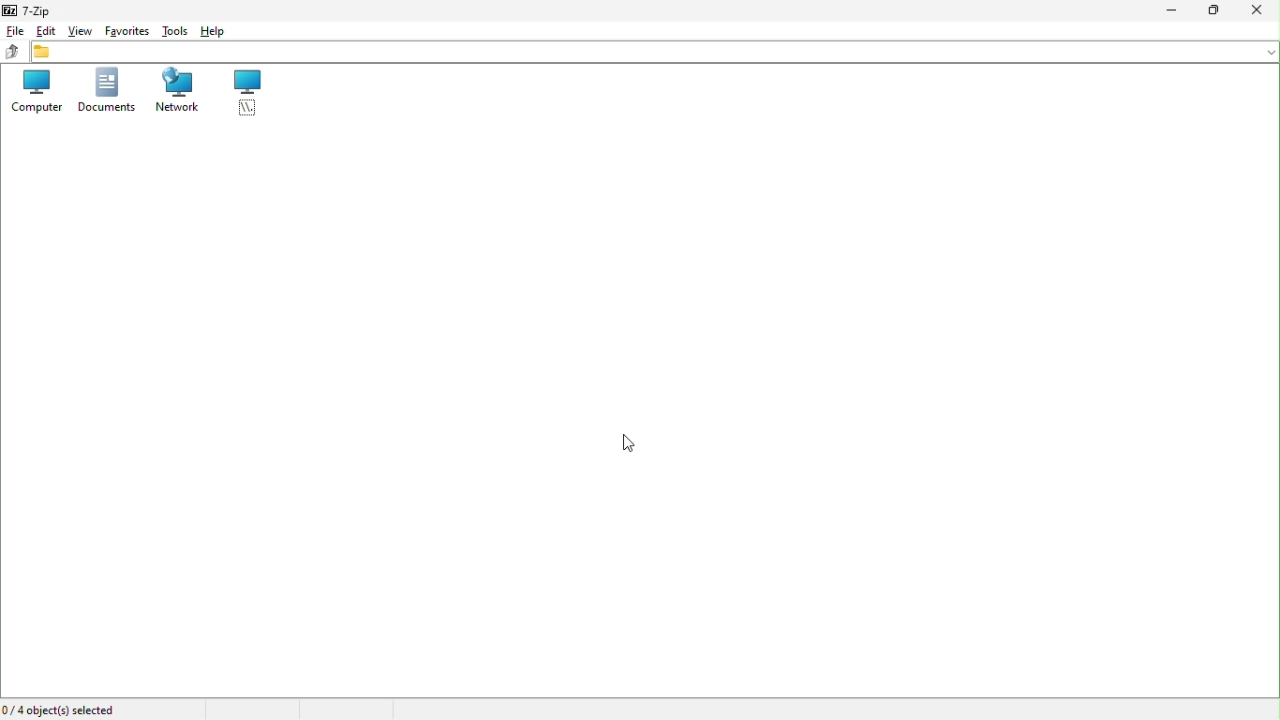 The image size is (1280, 720). What do you see at coordinates (125, 28) in the screenshot?
I see `favourite` at bounding box center [125, 28].